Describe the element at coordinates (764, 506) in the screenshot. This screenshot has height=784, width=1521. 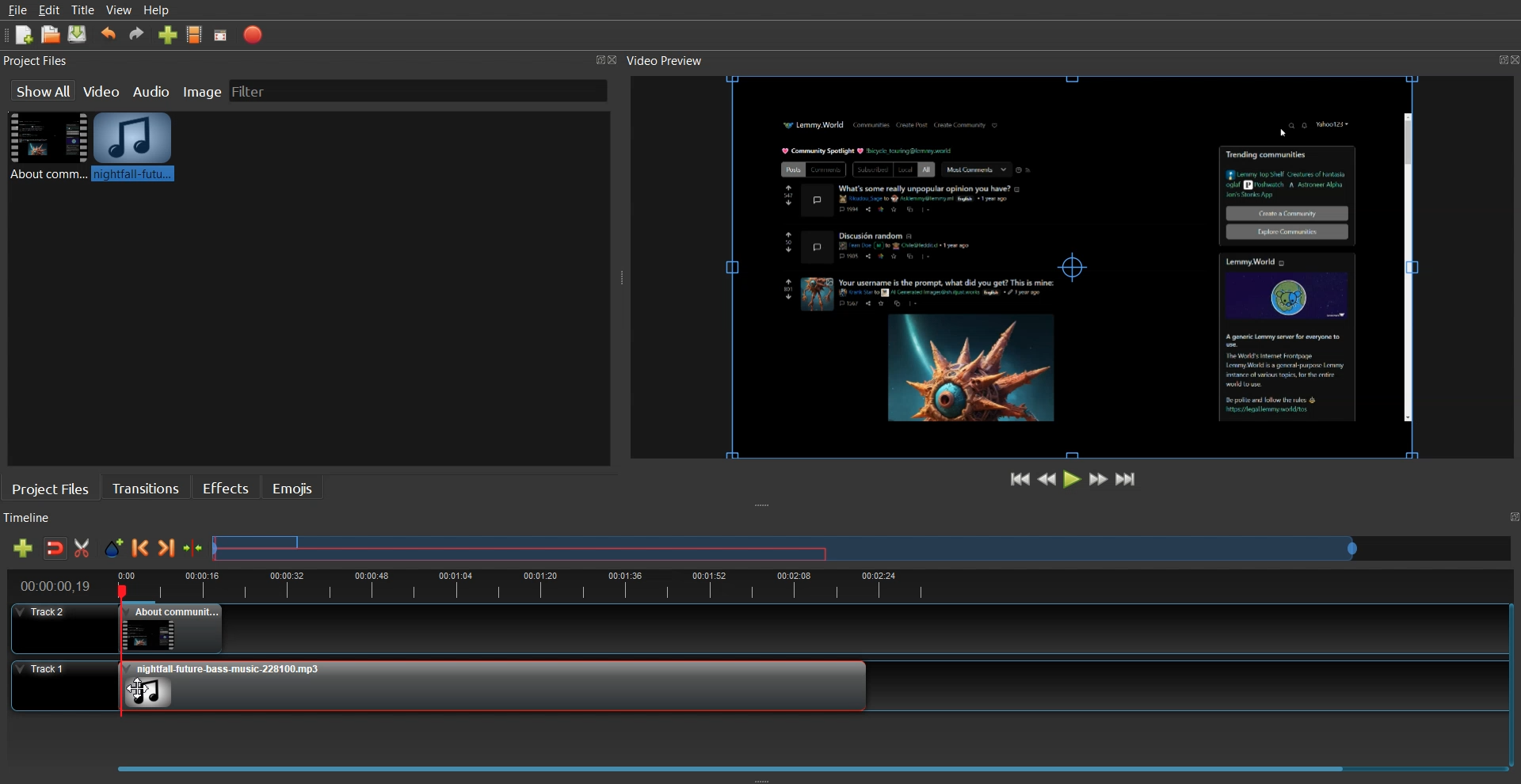
I see `Window Adjuster` at that location.